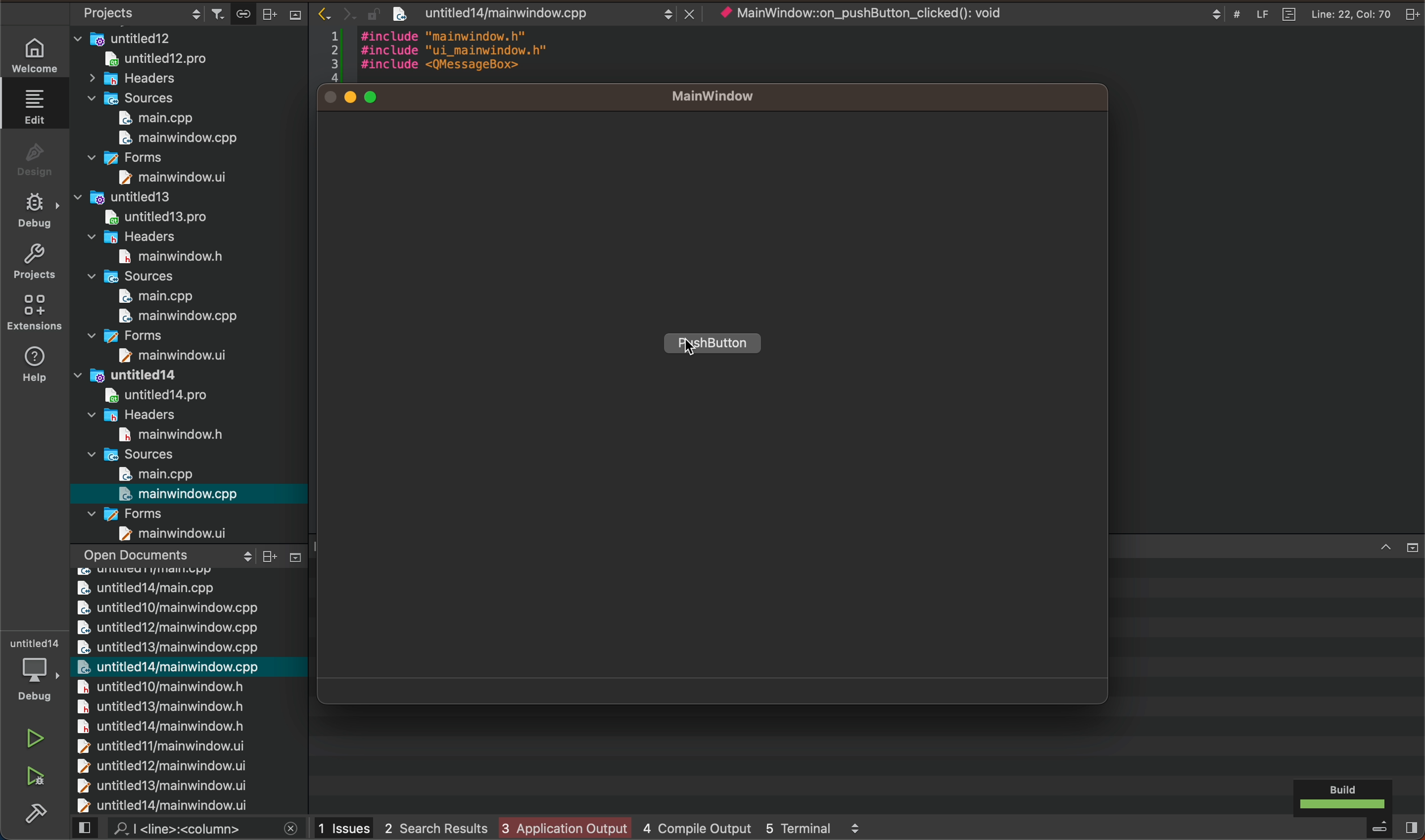  What do you see at coordinates (346, 12) in the screenshot?
I see `arrows` at bounding box center [346, 12].